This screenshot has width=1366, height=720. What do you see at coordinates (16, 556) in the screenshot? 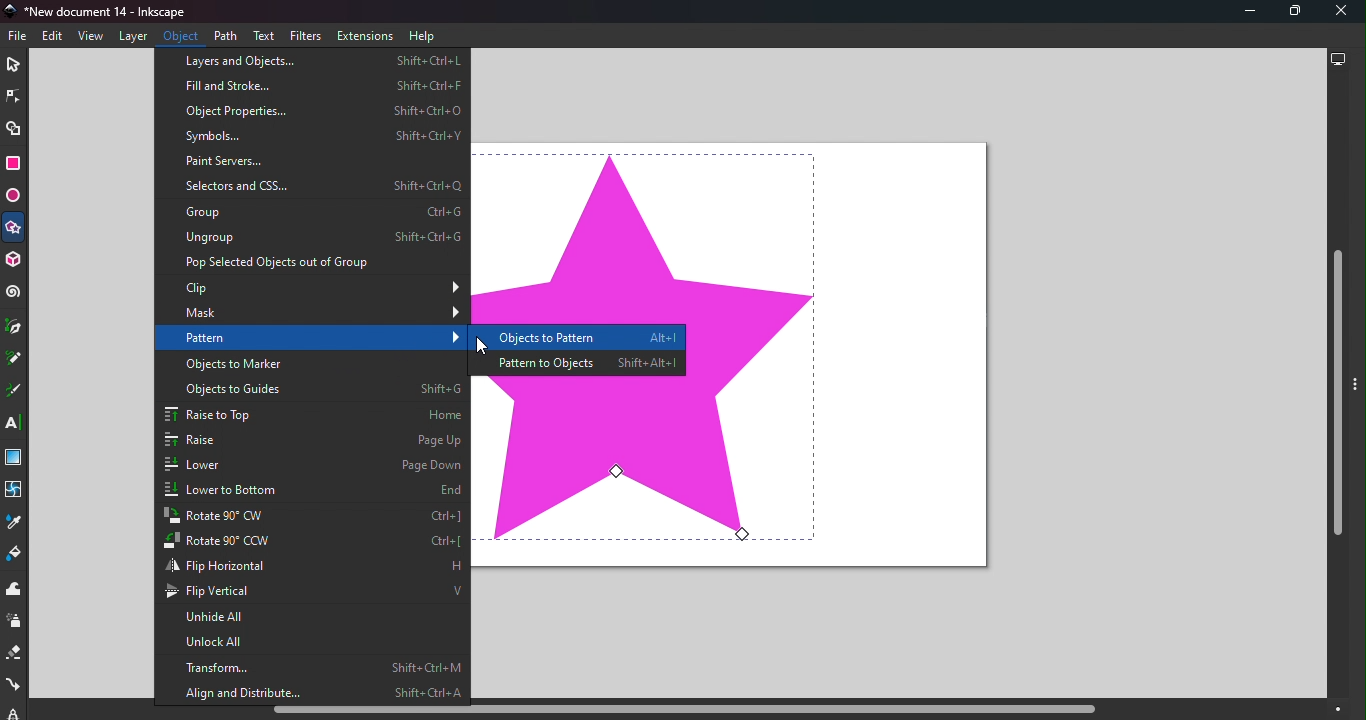
I see `Paint bucket tool` at bounding box center [16, 556].